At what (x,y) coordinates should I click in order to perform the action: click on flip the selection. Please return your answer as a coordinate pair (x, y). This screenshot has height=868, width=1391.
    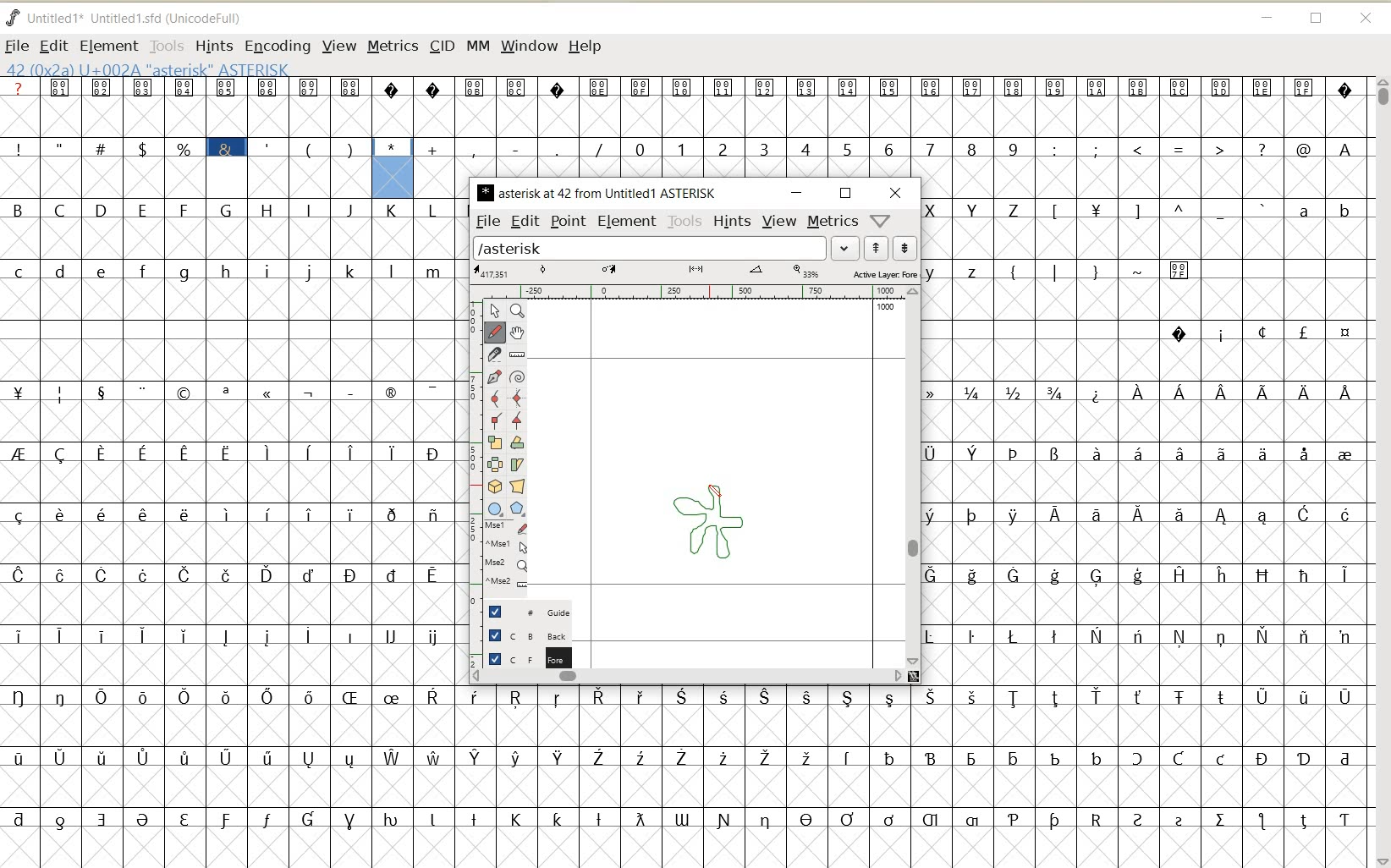
    Looking at the image, I should click on (493, 464).